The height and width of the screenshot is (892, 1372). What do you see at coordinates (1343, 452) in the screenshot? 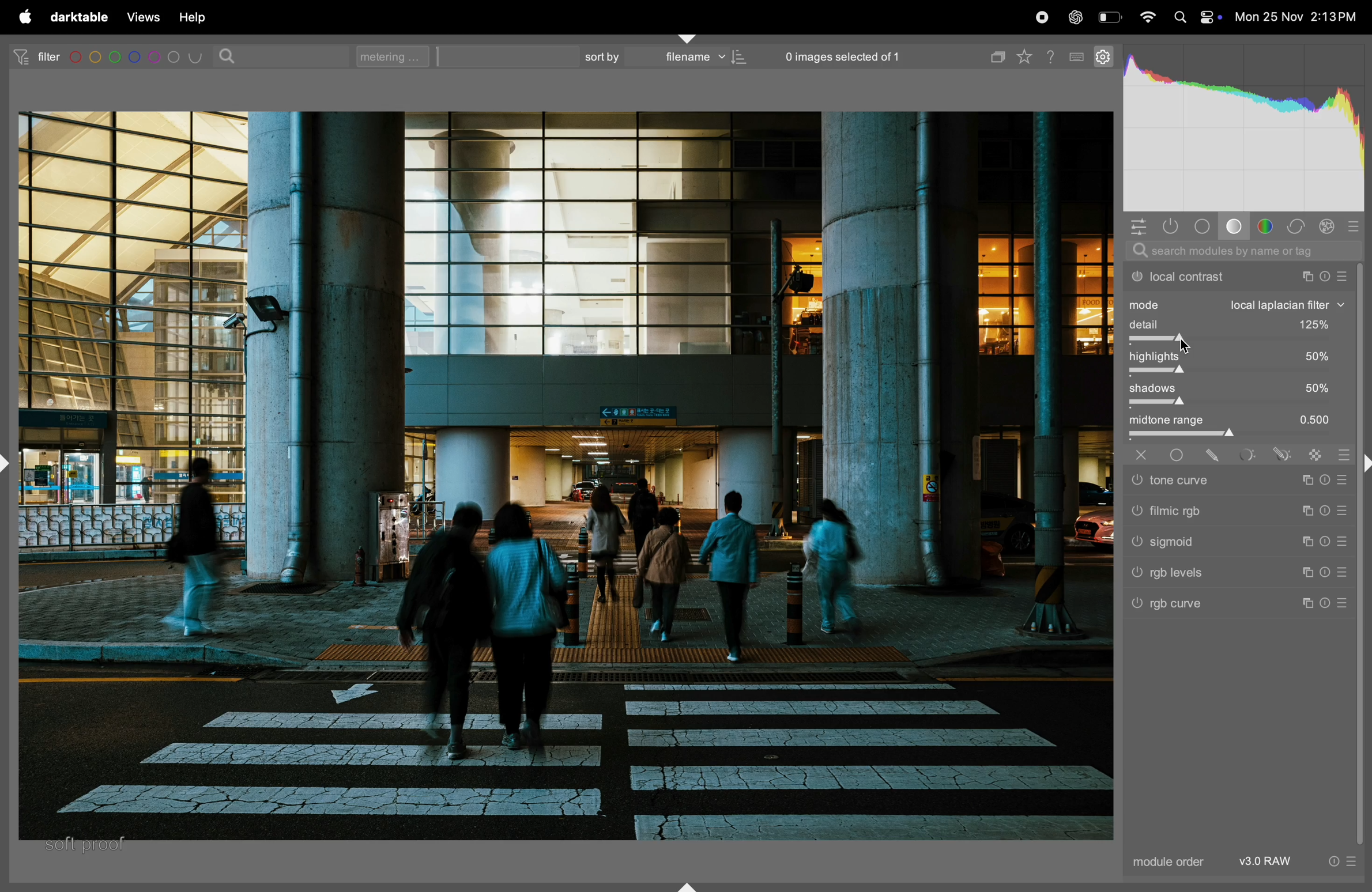
I see `blending options` at bounding box center [1343, 452].